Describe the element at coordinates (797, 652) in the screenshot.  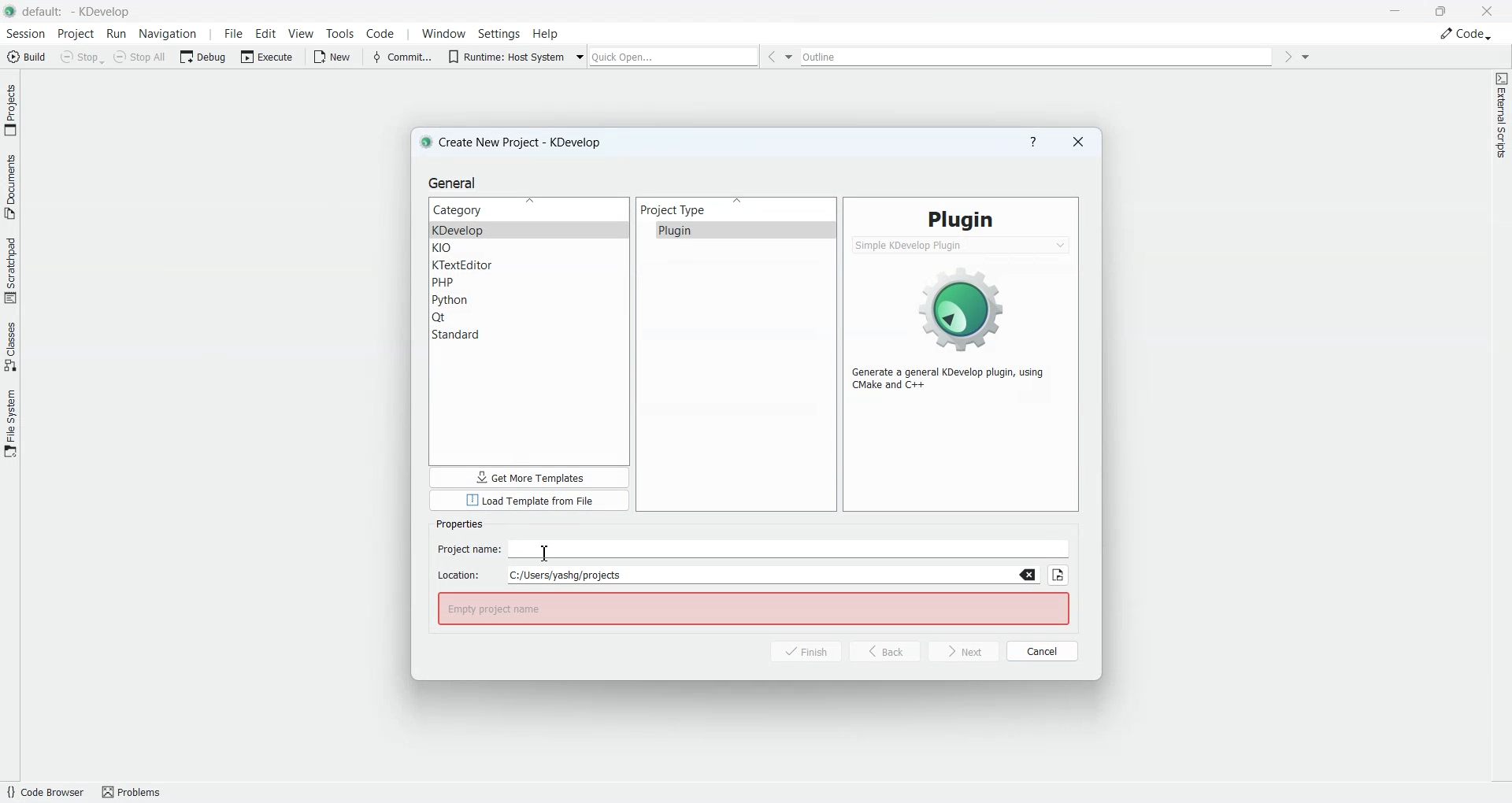
I see `finish` at that location.